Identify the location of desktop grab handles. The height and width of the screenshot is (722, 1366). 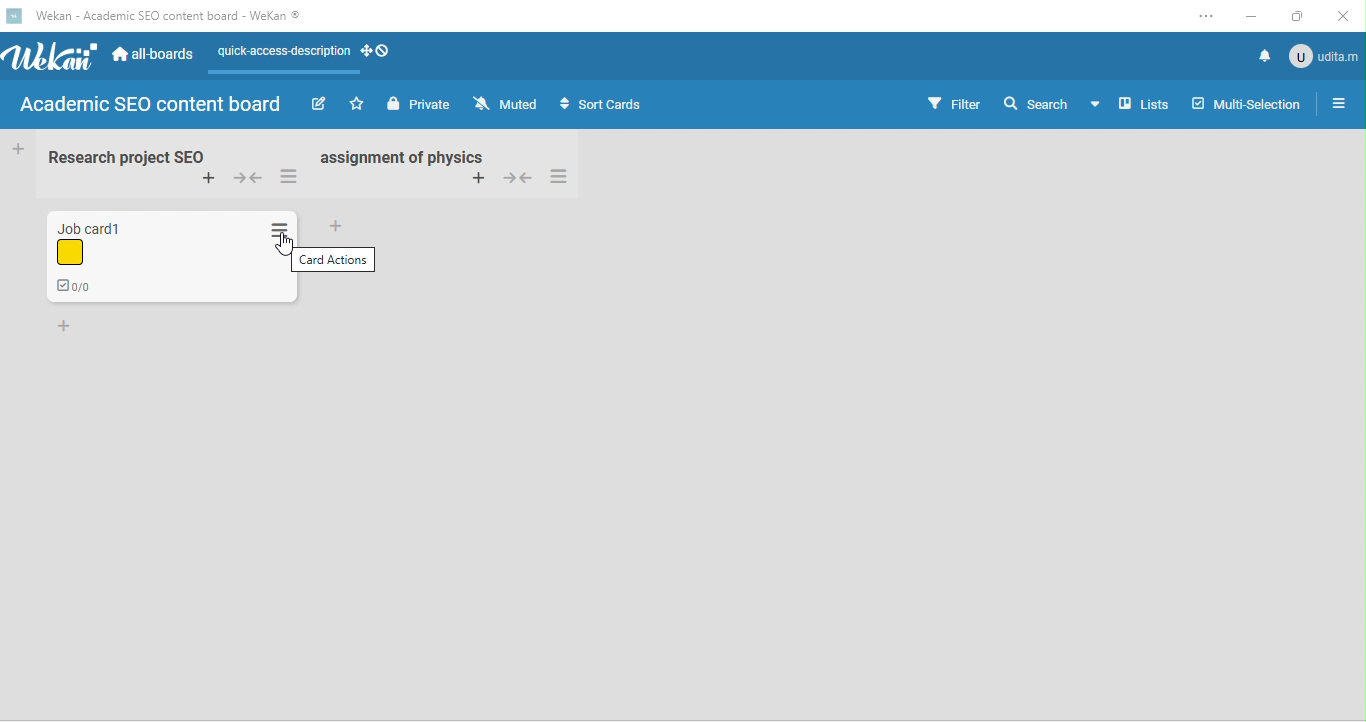
(373, 54).